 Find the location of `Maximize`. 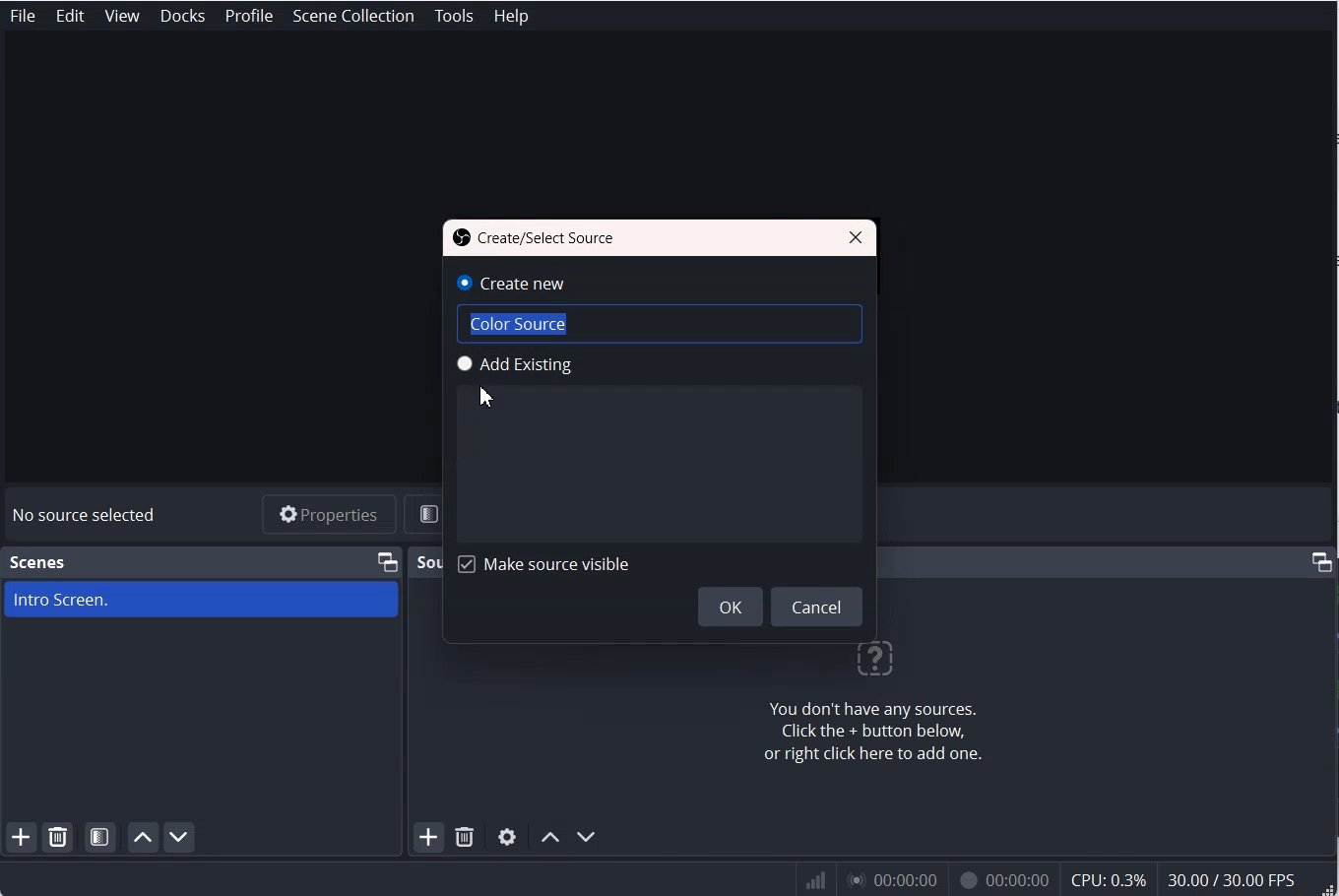

Maximize is located at coordinates (387, 560).